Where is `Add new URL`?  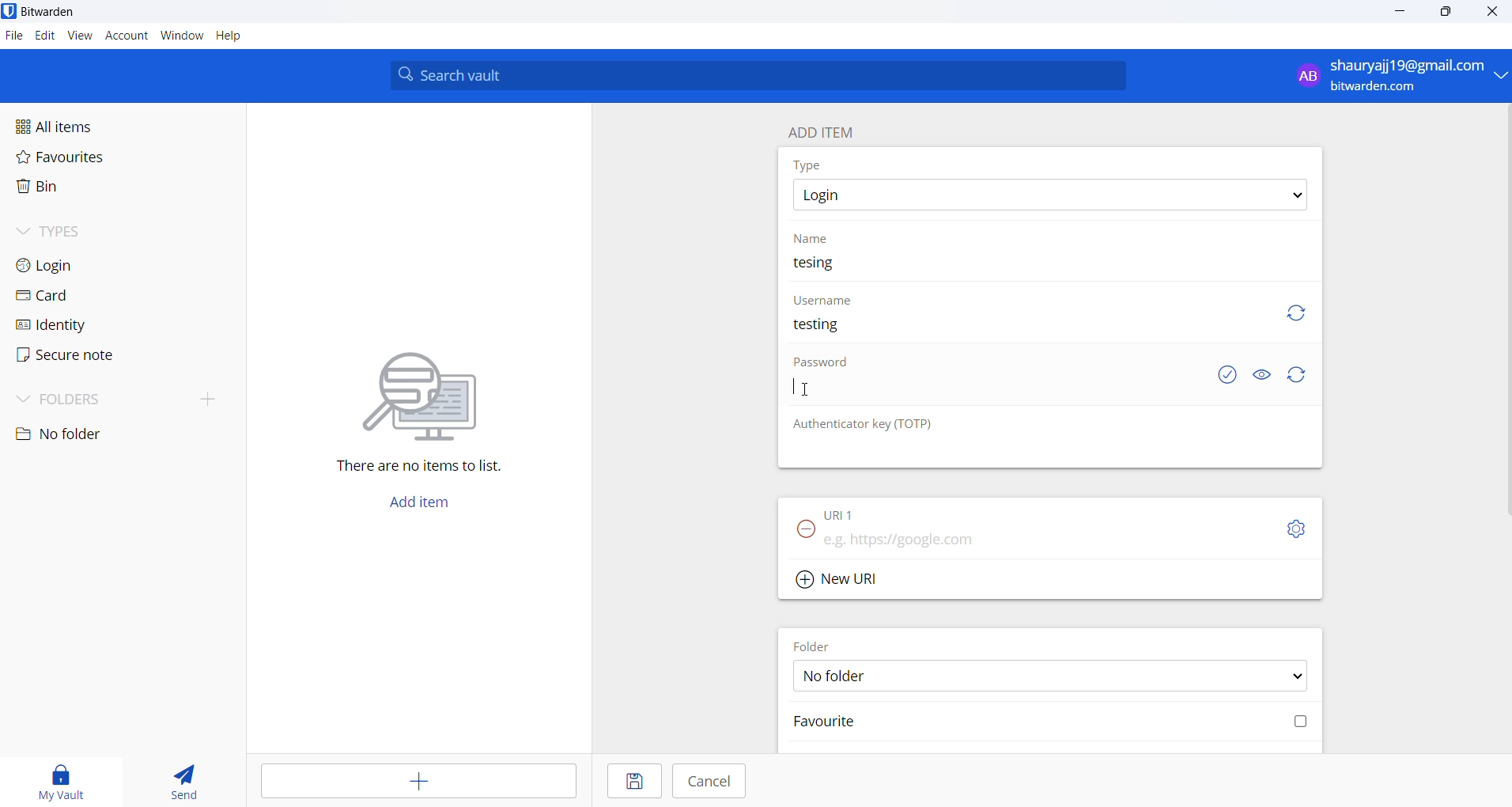 Add new URL is located at coordinates (840, 577).